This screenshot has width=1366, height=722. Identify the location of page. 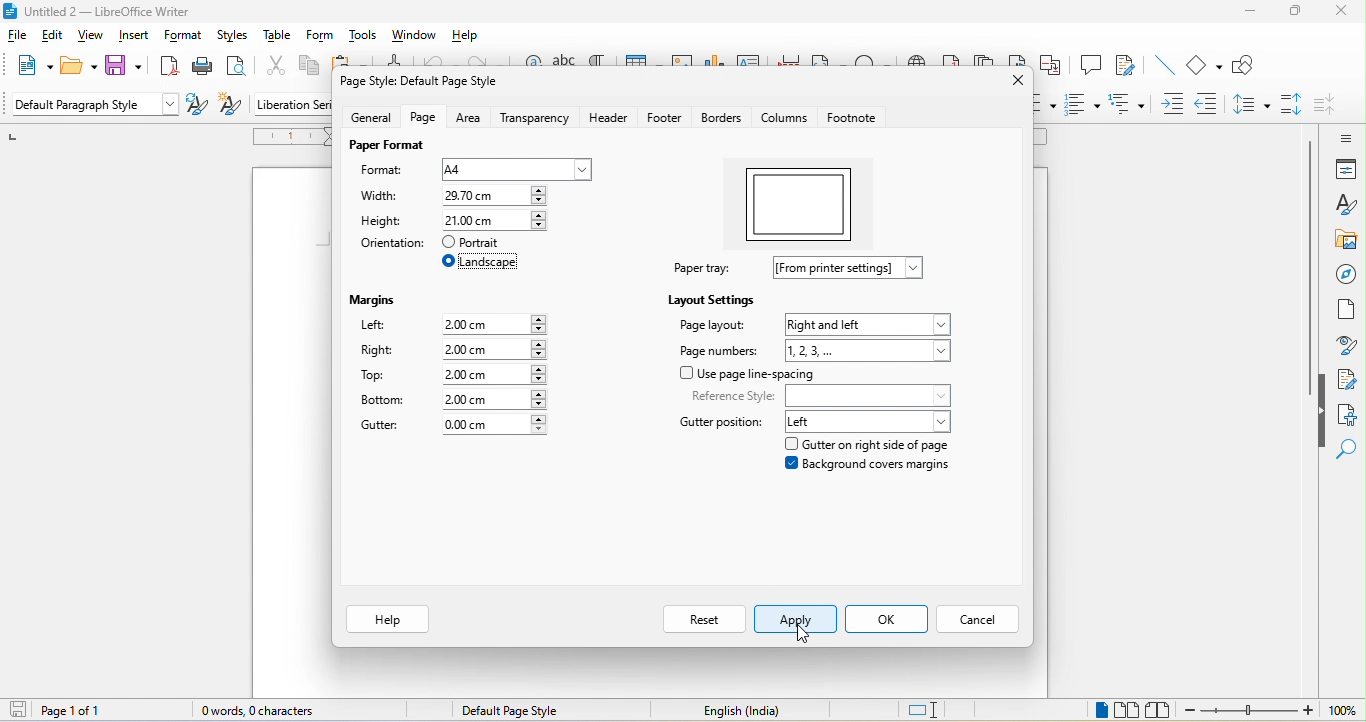
(1347, 316).